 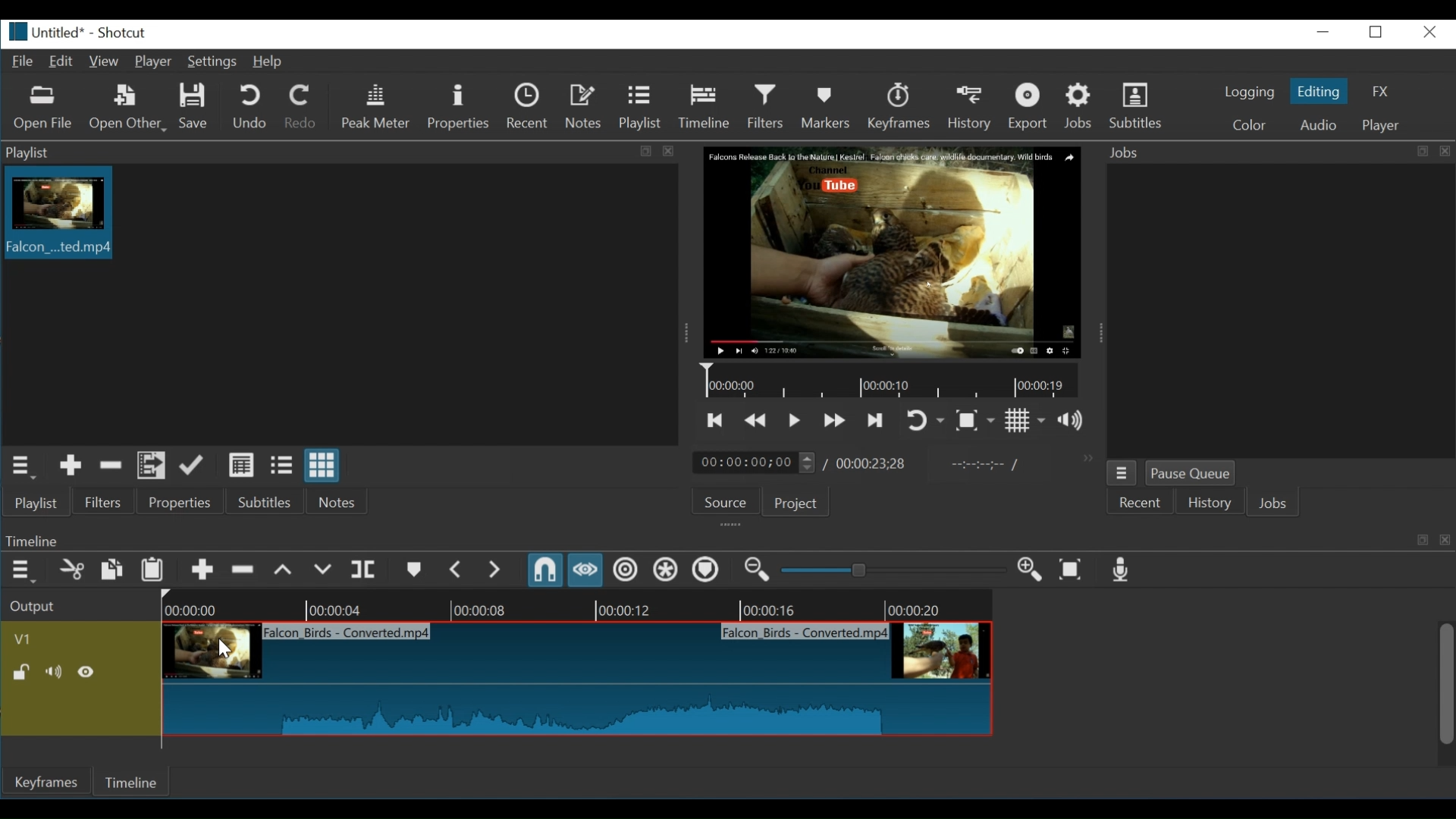 What do you see at coordinates (72, 466) in the screenshot?
I see `Add the source to the playlist` at bounding box center [72, 466].